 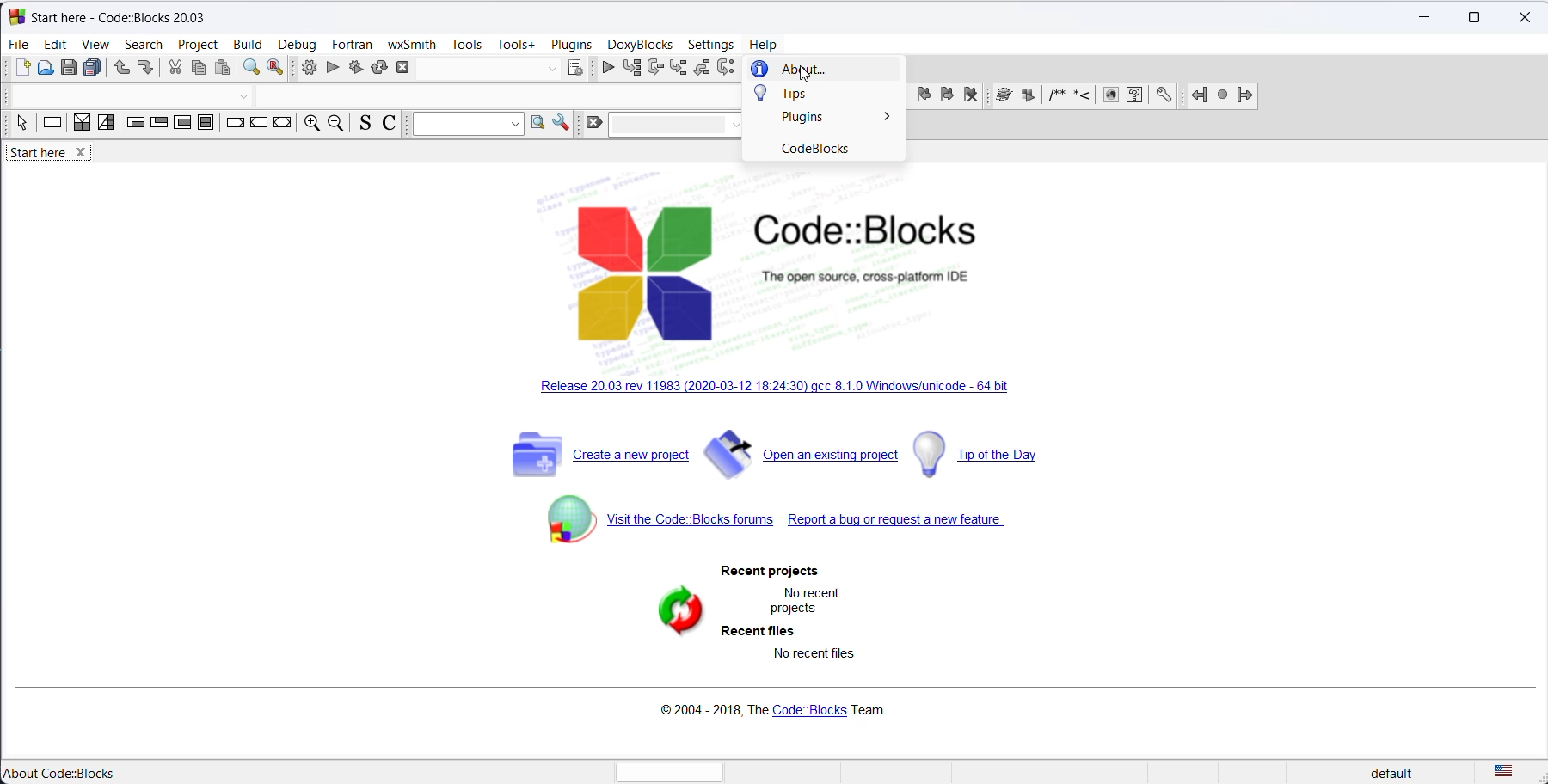 What do you see at coordinates (726, 69) in the screenshot?
I see `next instruction` at bounding box center [726, 69].